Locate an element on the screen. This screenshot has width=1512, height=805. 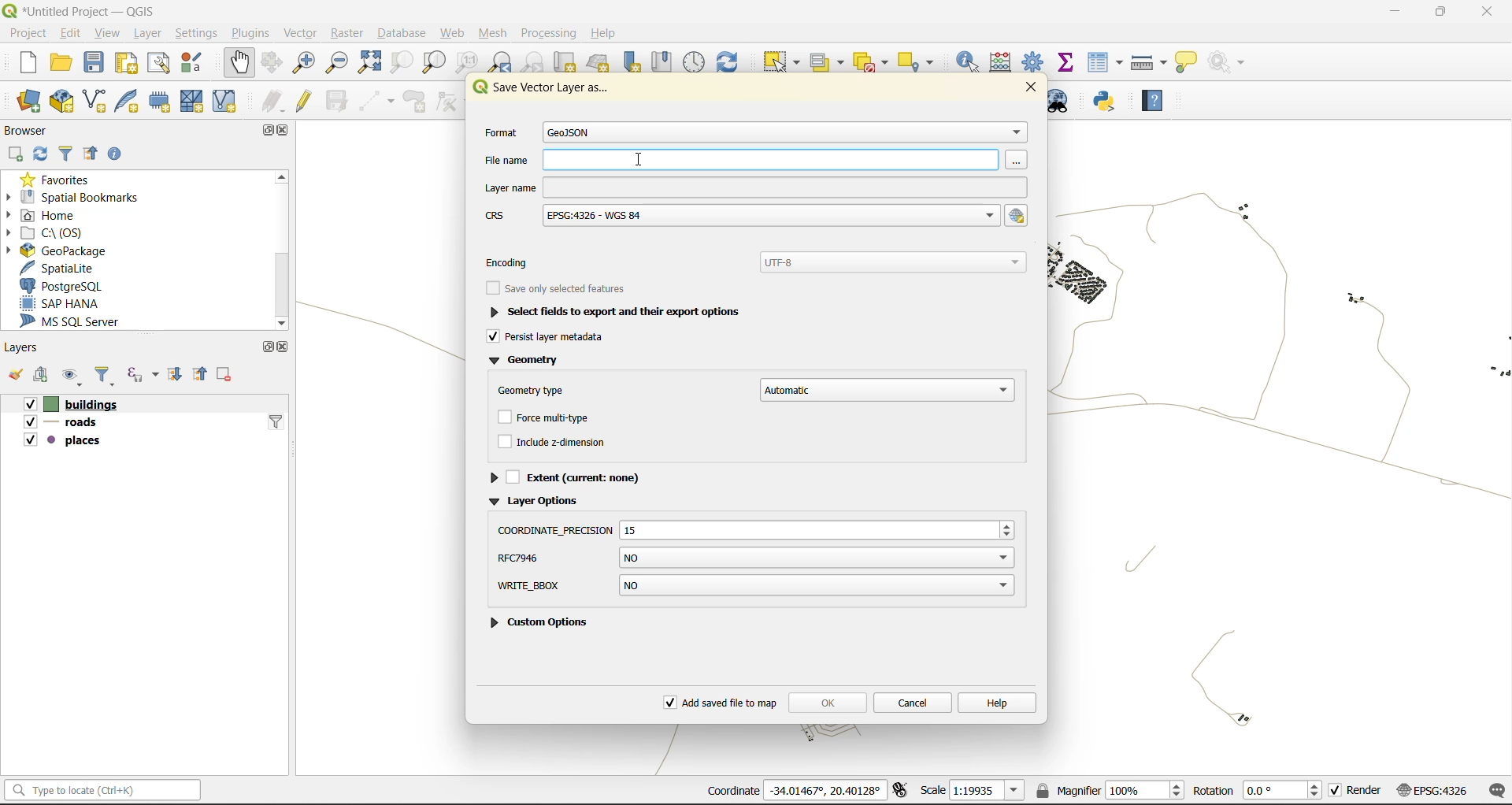
zoom native is located at coordinates (469, 61).